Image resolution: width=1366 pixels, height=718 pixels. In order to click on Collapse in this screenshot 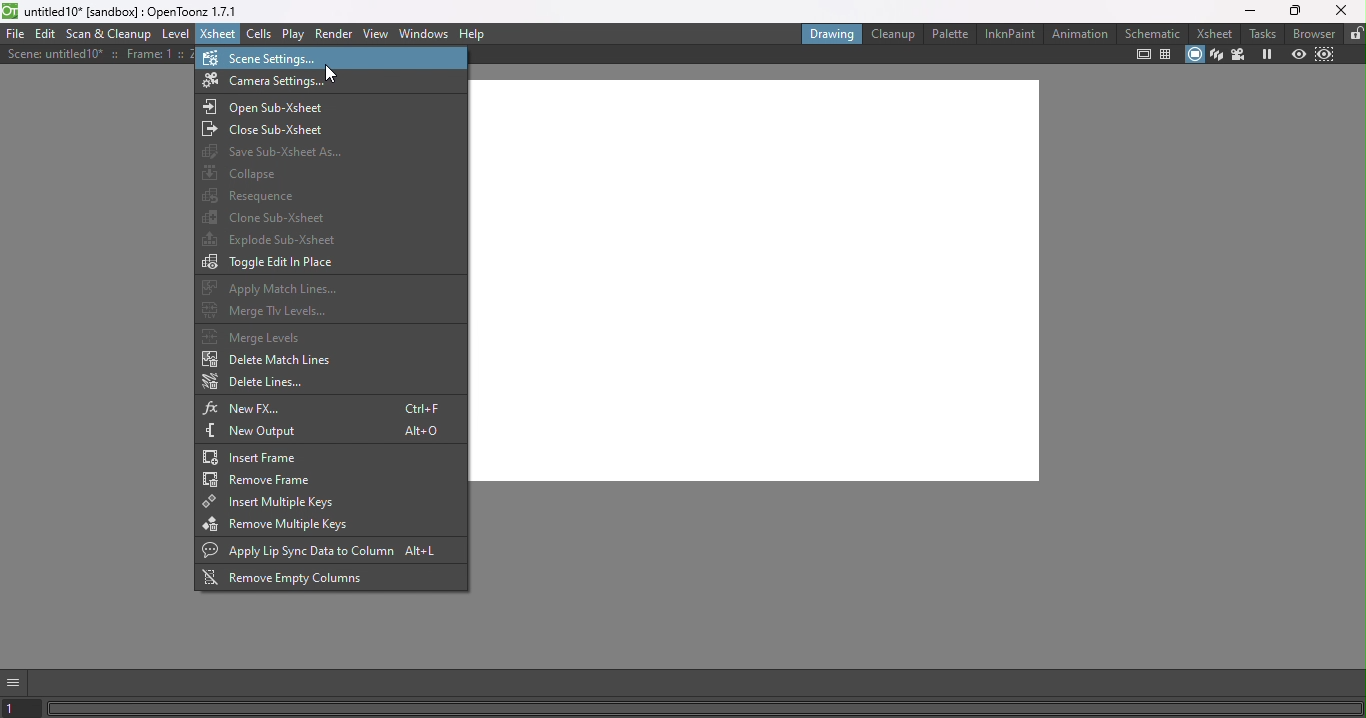, I will do `click(243, 173)`.